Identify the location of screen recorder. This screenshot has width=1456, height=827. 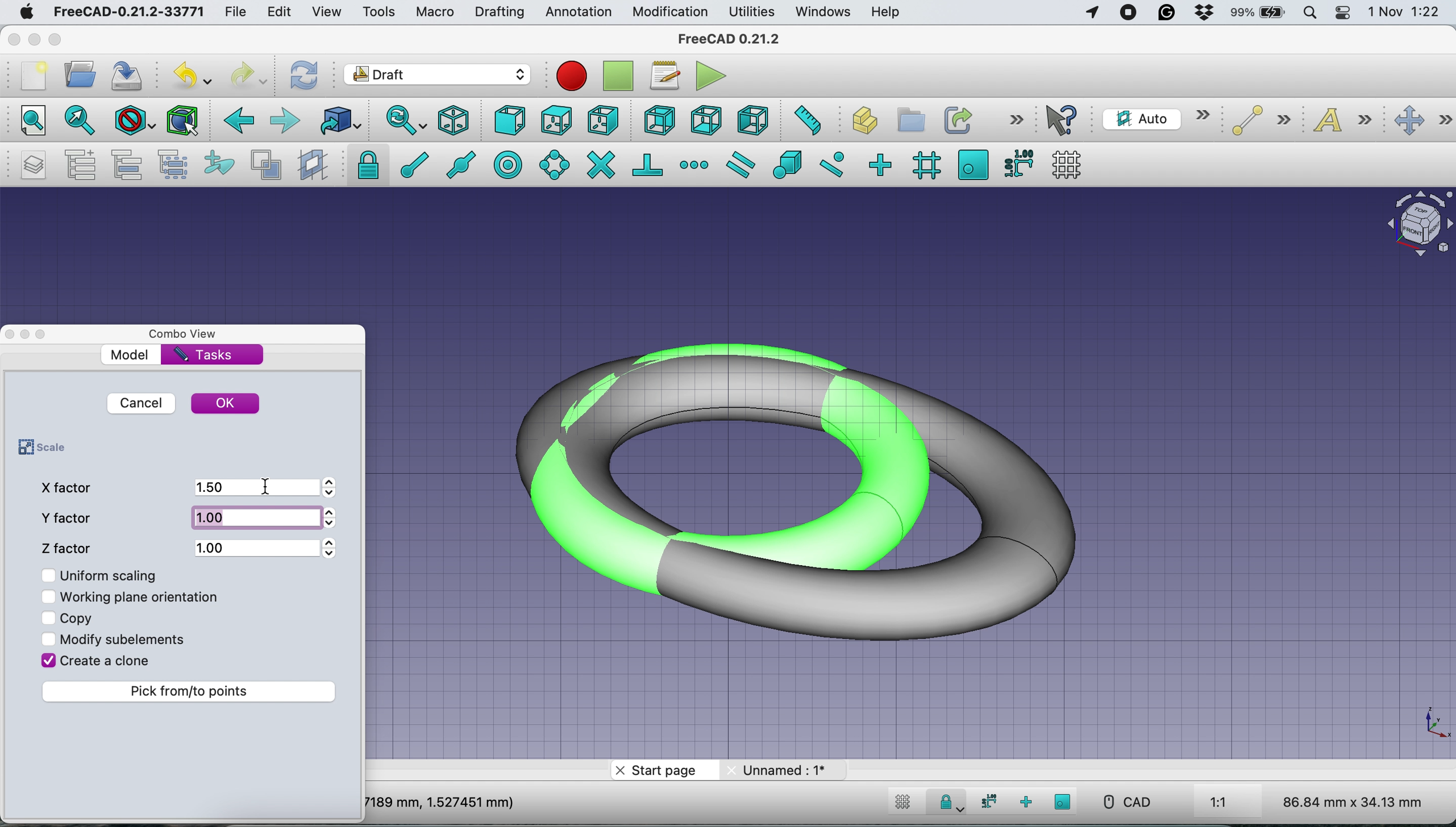
(1129, 15).